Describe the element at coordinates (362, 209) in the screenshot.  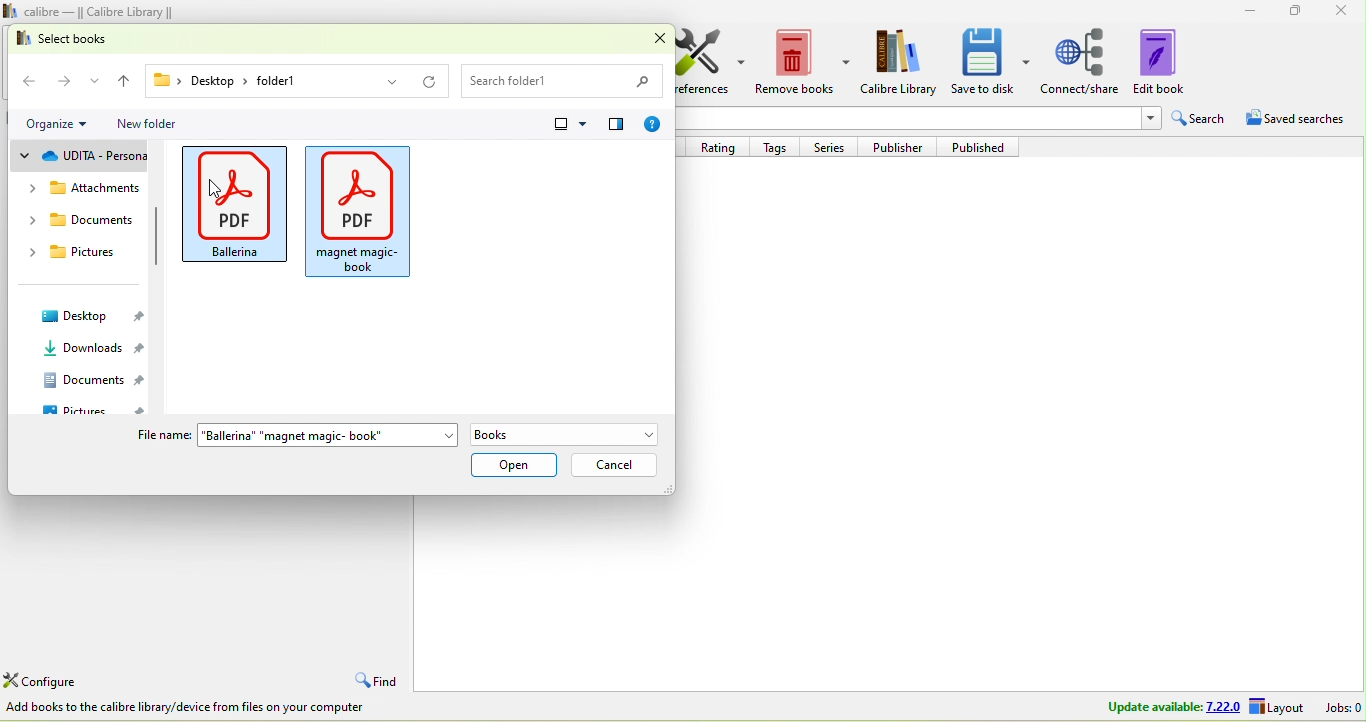
I see `magnet magic book` at that location.